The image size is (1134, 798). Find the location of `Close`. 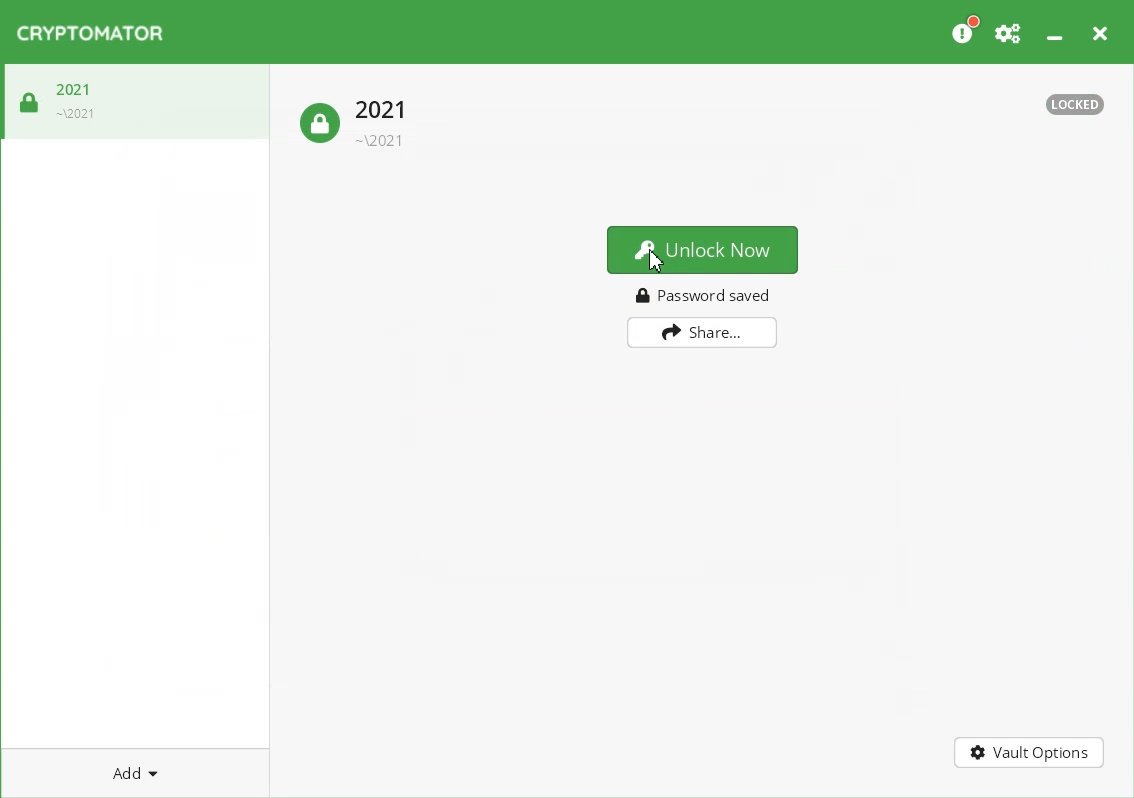

Close is located at coordinates (1099, 30).